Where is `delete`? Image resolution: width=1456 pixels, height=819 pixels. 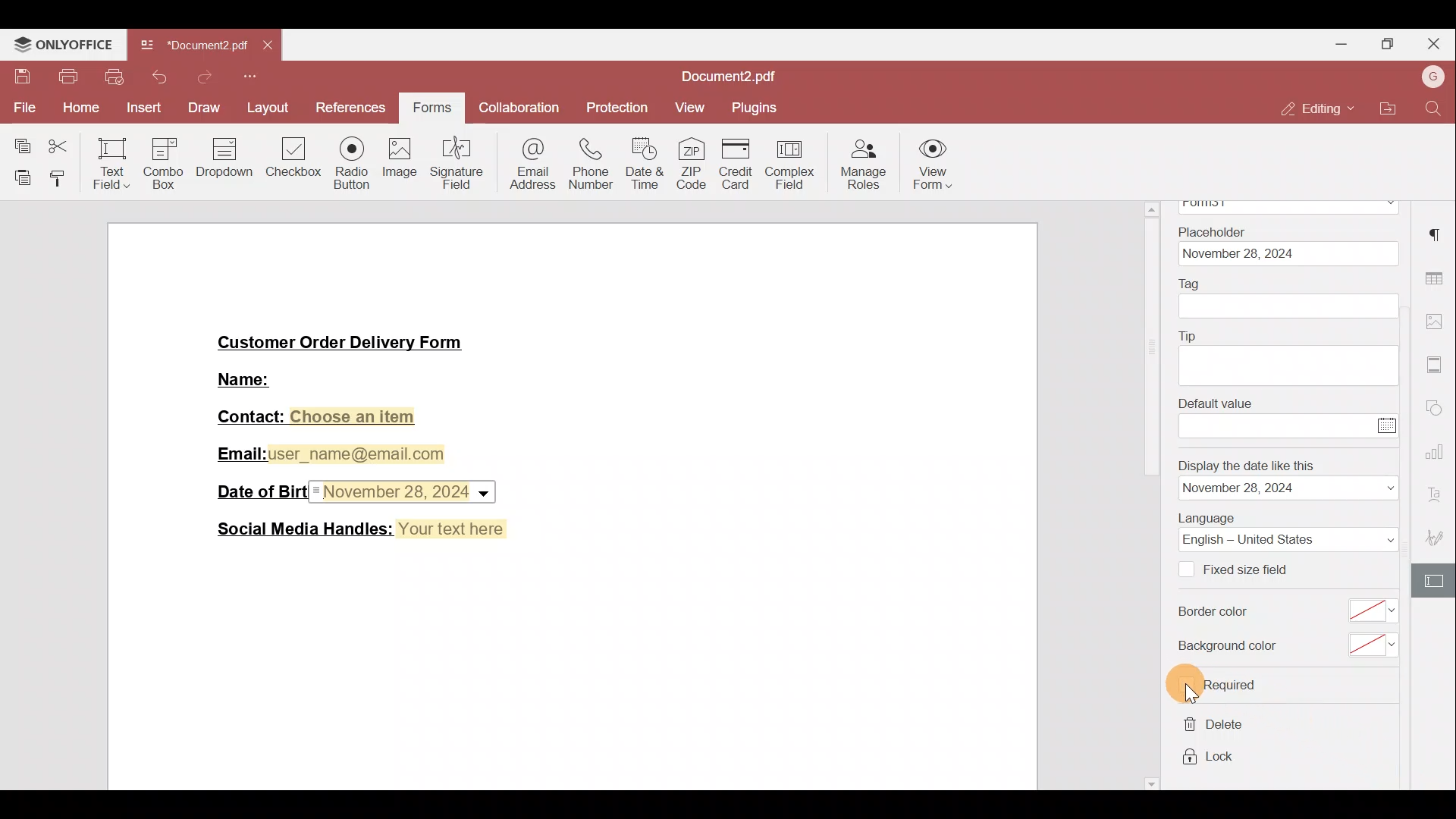
delete is located at coordinates (1216, 725).